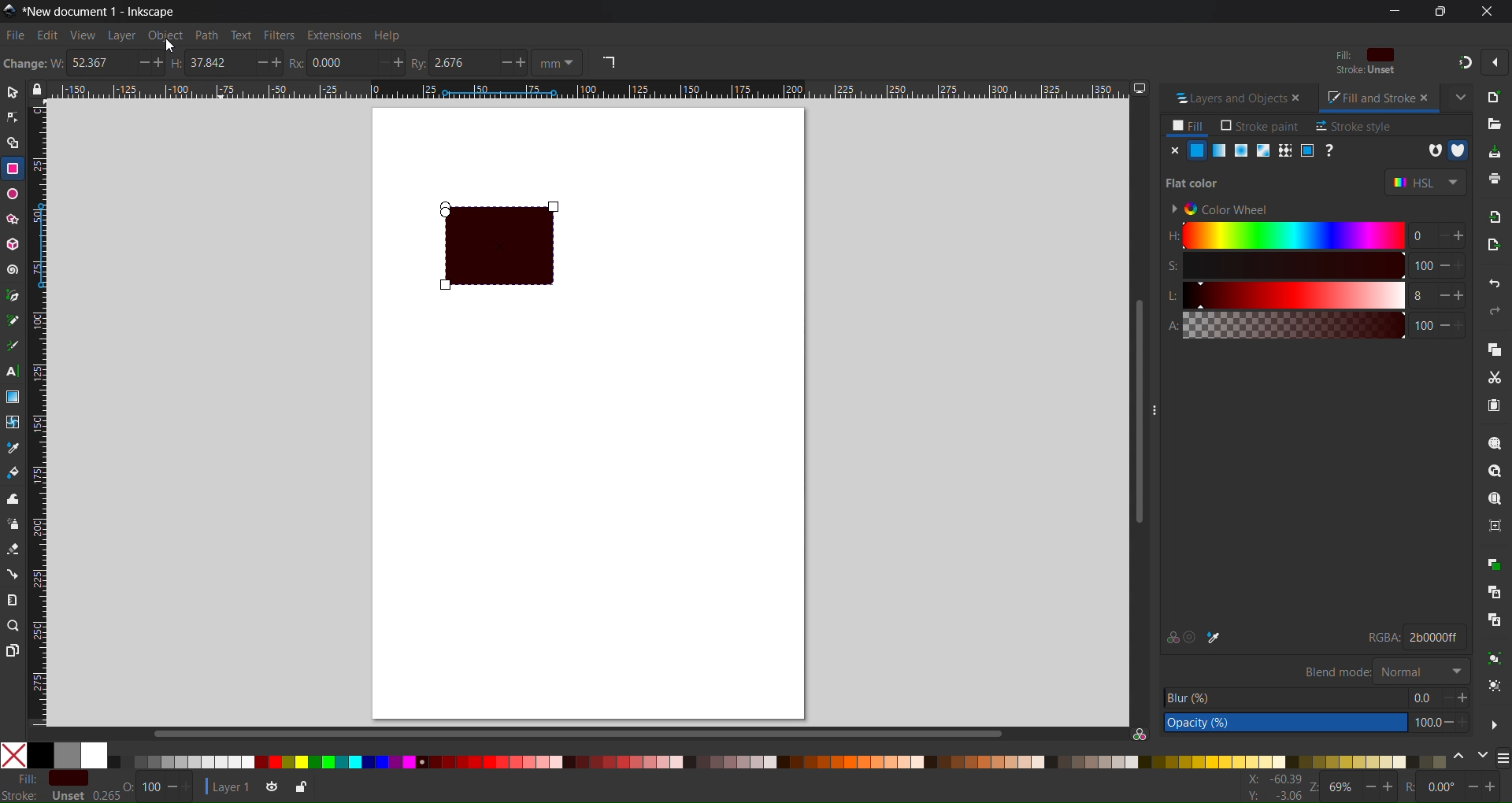 The width and height of the screenshot is (1512, 803). What do you see at coordinates (1444, 324) in the screenshot?
I see `decrease alpha` at bounding box center [1444, 324].